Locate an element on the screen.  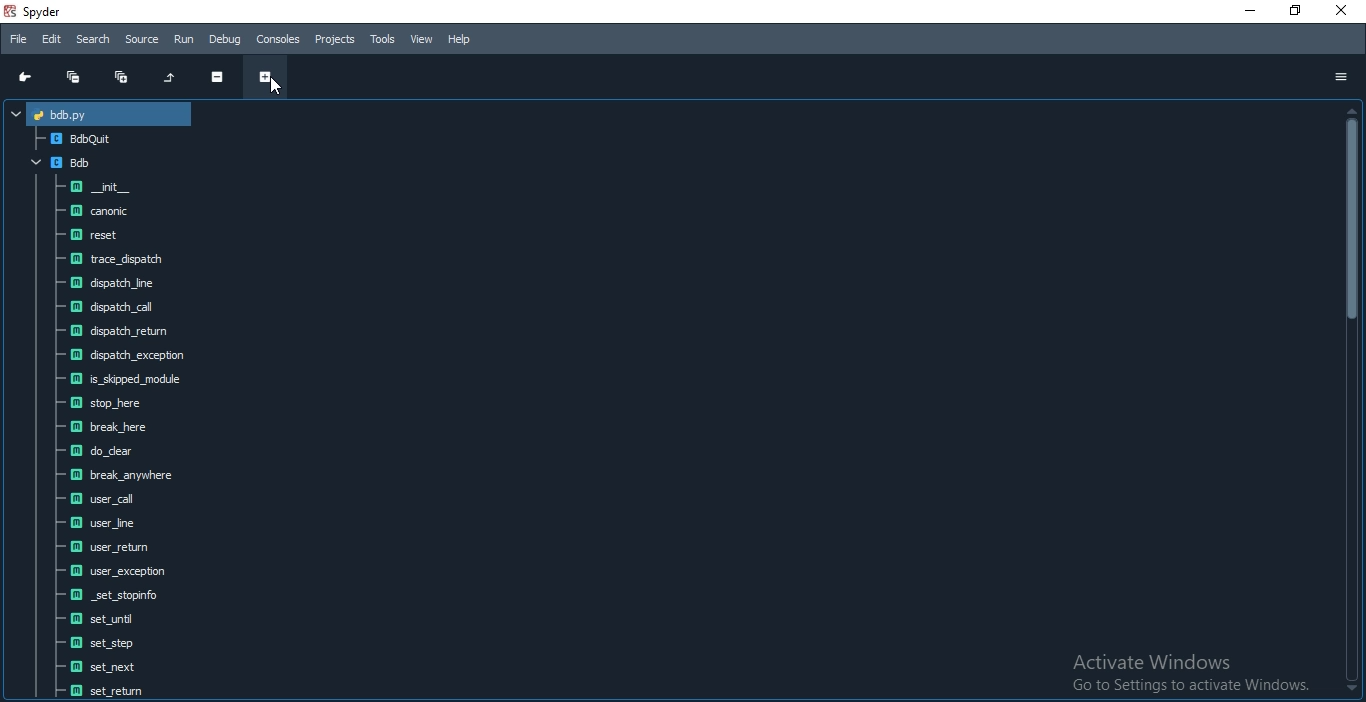
Restore original tree layout is located at coordinates (169, 77).